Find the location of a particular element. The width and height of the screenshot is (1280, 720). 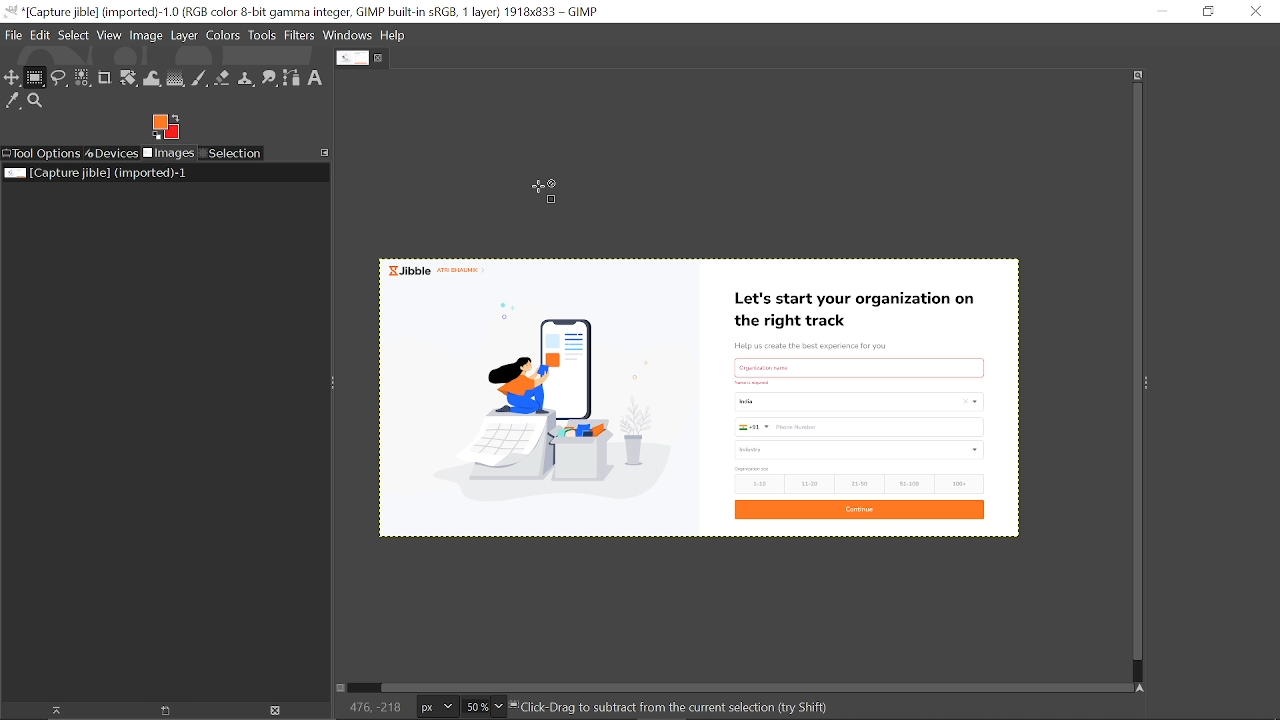

Path tool is located at coordinates (293, 78).